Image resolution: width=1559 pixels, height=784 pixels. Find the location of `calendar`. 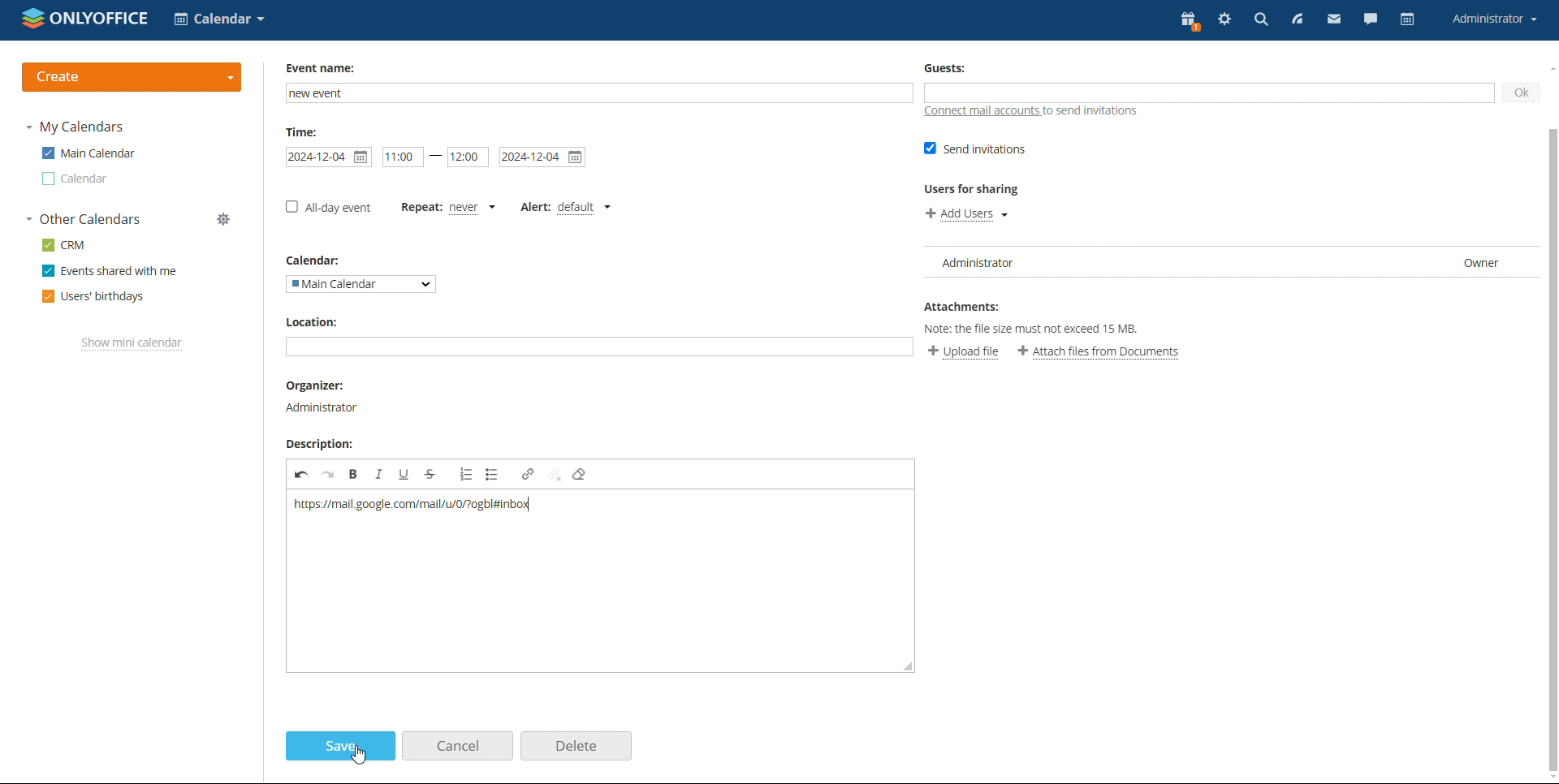

calendar is located at coordinates (74, 179).